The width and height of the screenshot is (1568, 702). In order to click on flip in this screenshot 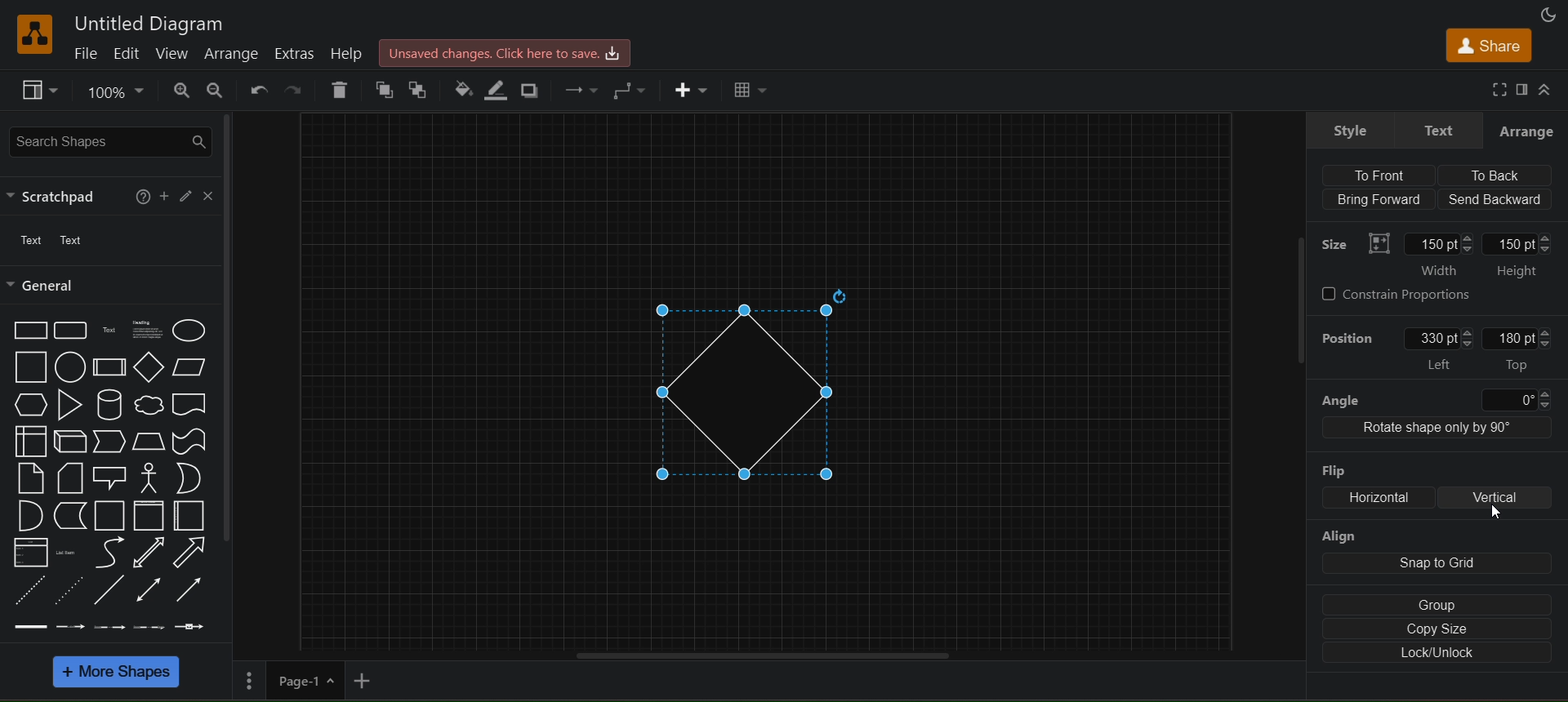, I will do `click(1336, 465)`.